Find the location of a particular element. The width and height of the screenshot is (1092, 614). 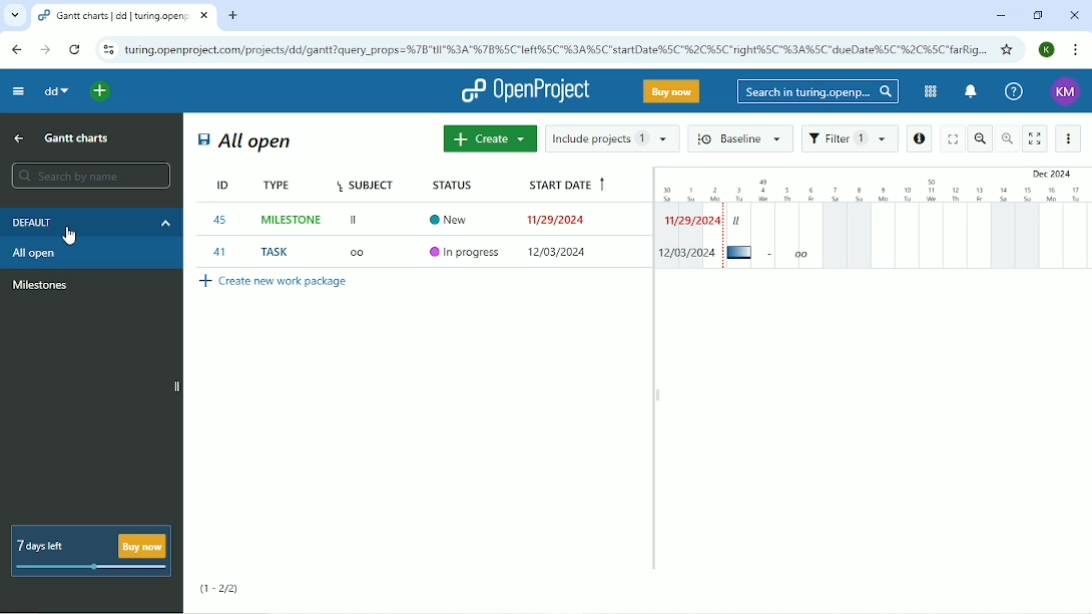

Search is located at coordinates (818, 92).